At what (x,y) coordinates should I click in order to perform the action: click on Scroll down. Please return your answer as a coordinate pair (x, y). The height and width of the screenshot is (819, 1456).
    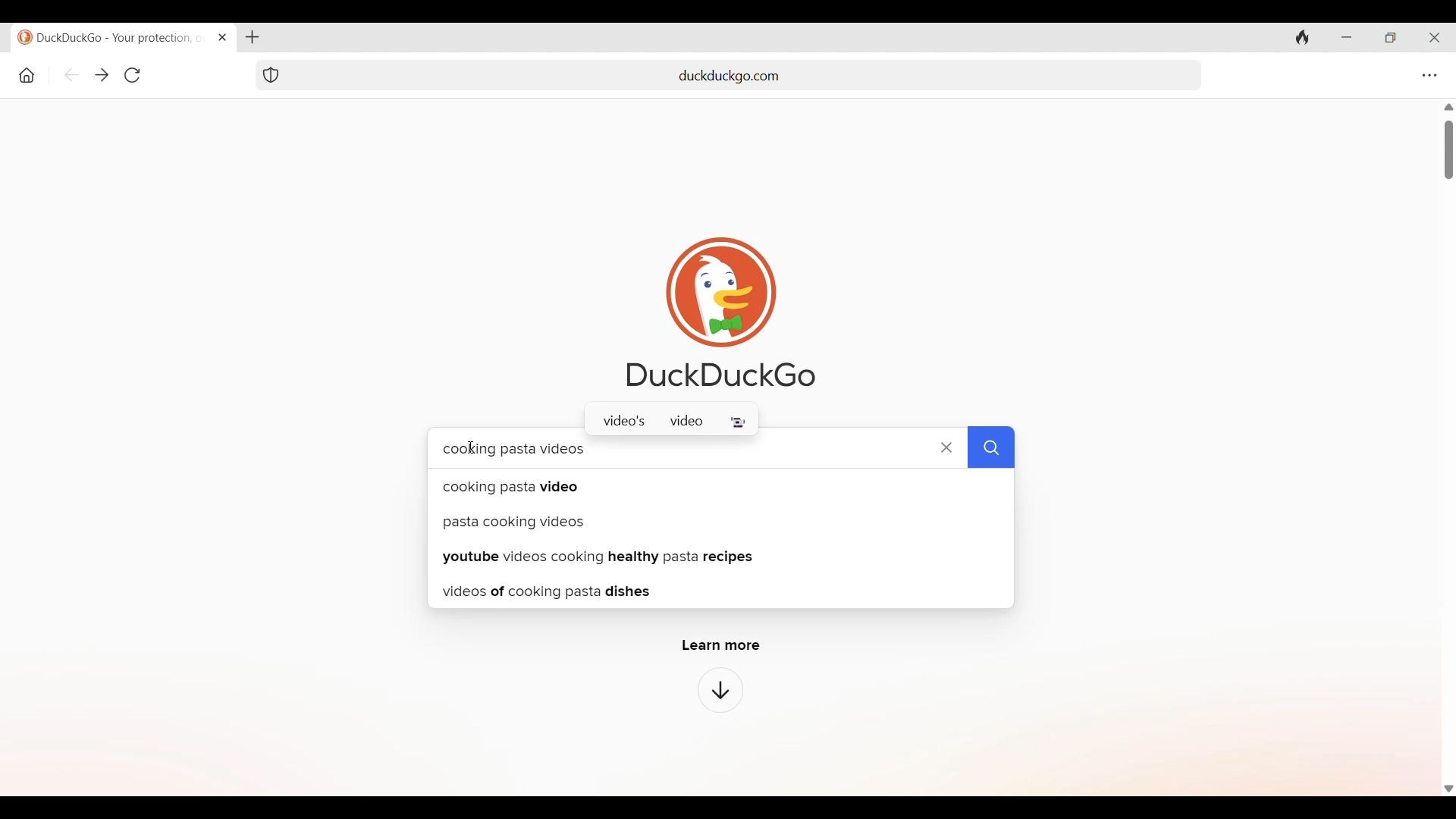
    Looking at the image, I should click on (1447, 790).